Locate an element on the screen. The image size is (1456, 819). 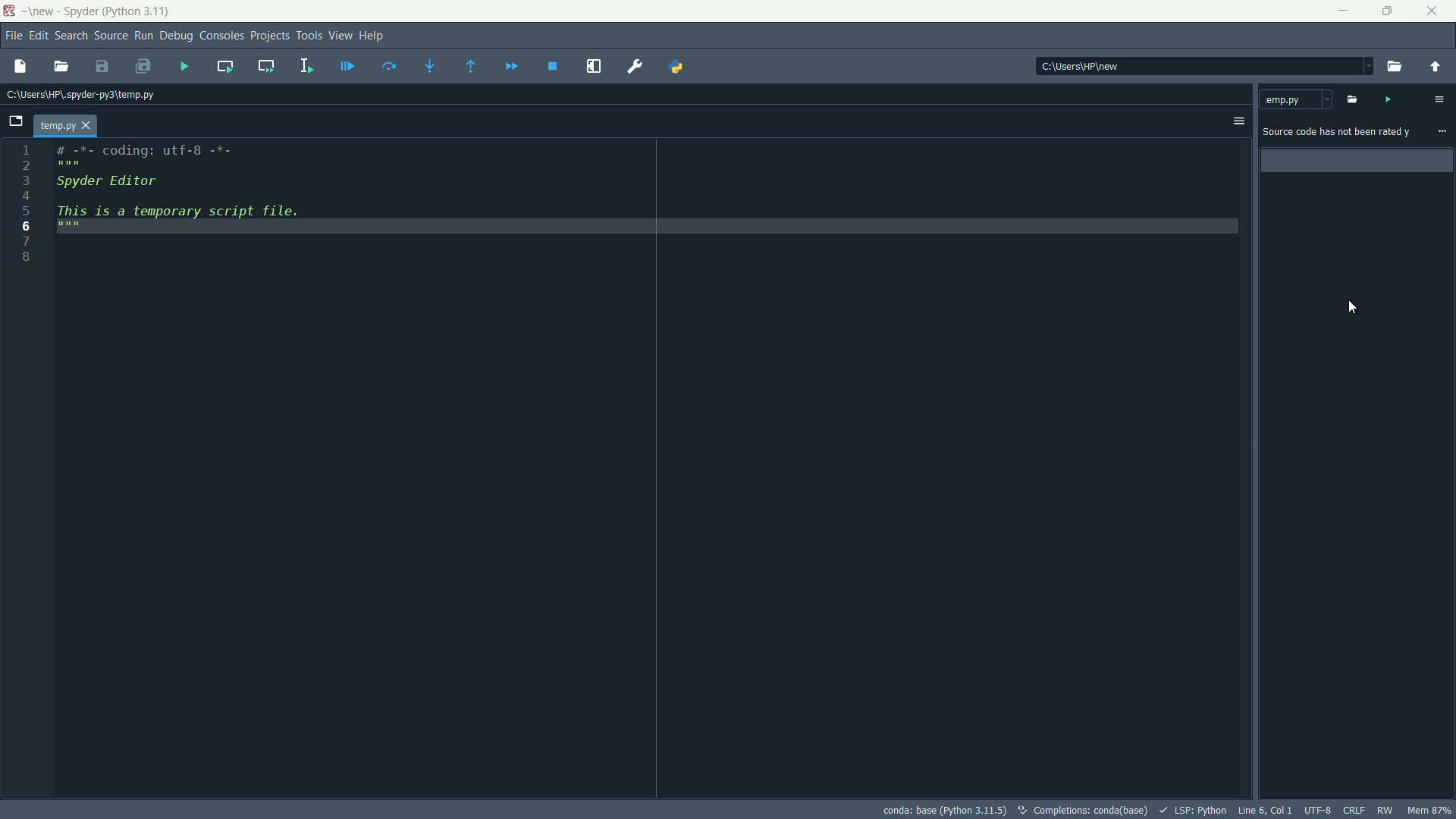
run current line is located at coordinates (391, 67).